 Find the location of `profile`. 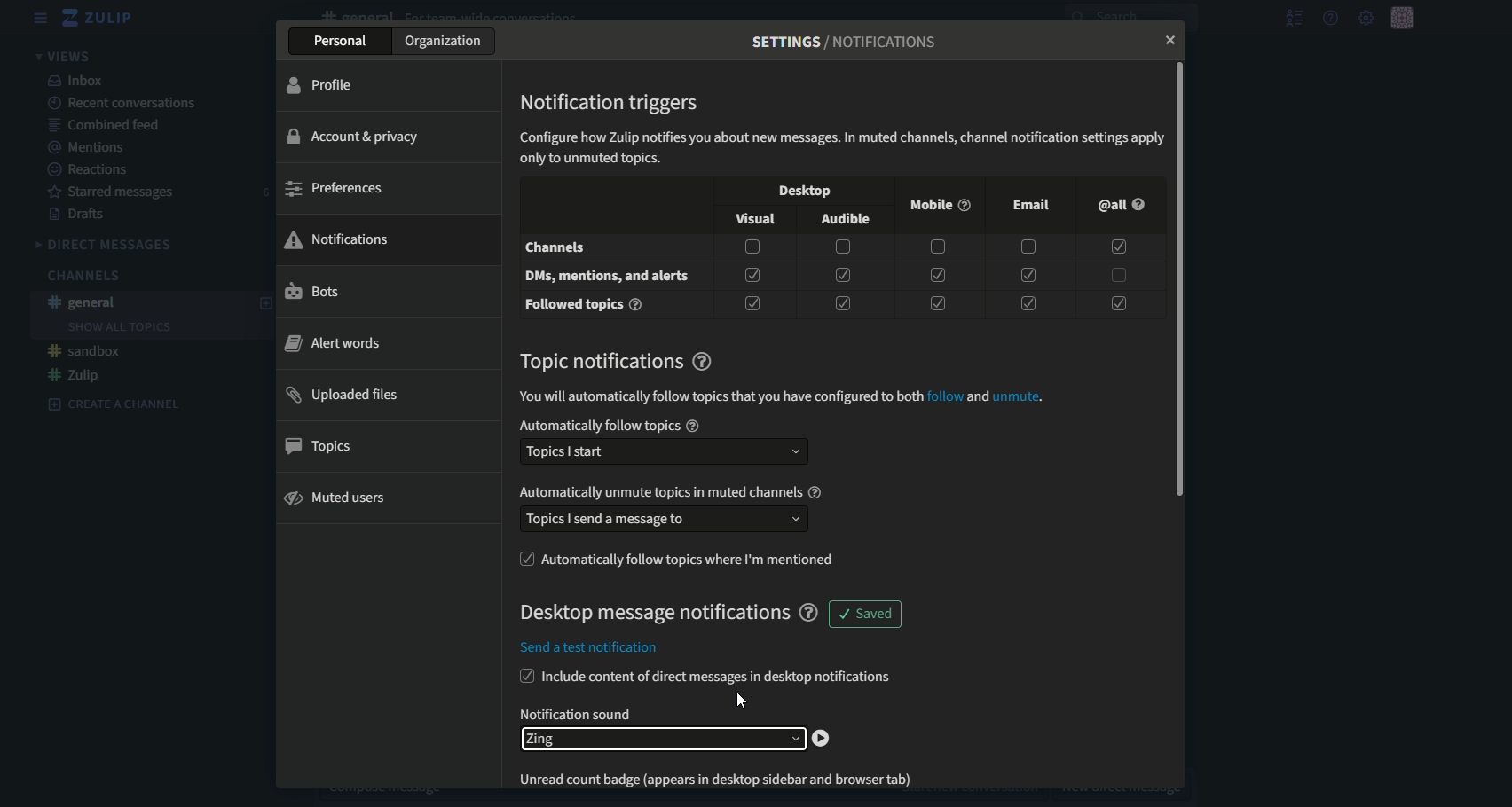

profile is located at coordinates (323, 85).